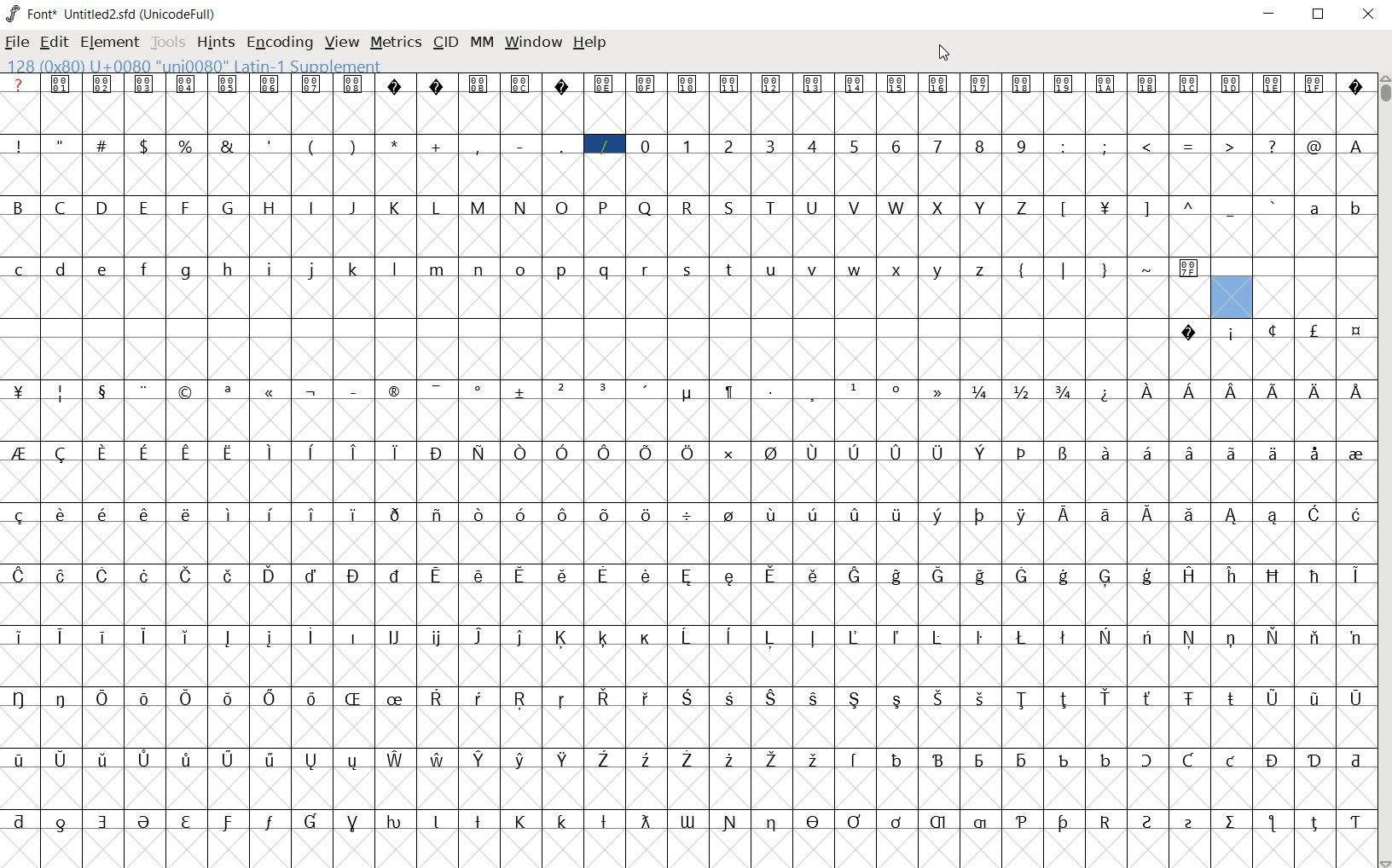 Image resolution: width=1392 pixels, height=868 pixels. What do you see at coordinates (227, 146) in the screenshot?
I see `glyph` at bounding box center [227, 146].